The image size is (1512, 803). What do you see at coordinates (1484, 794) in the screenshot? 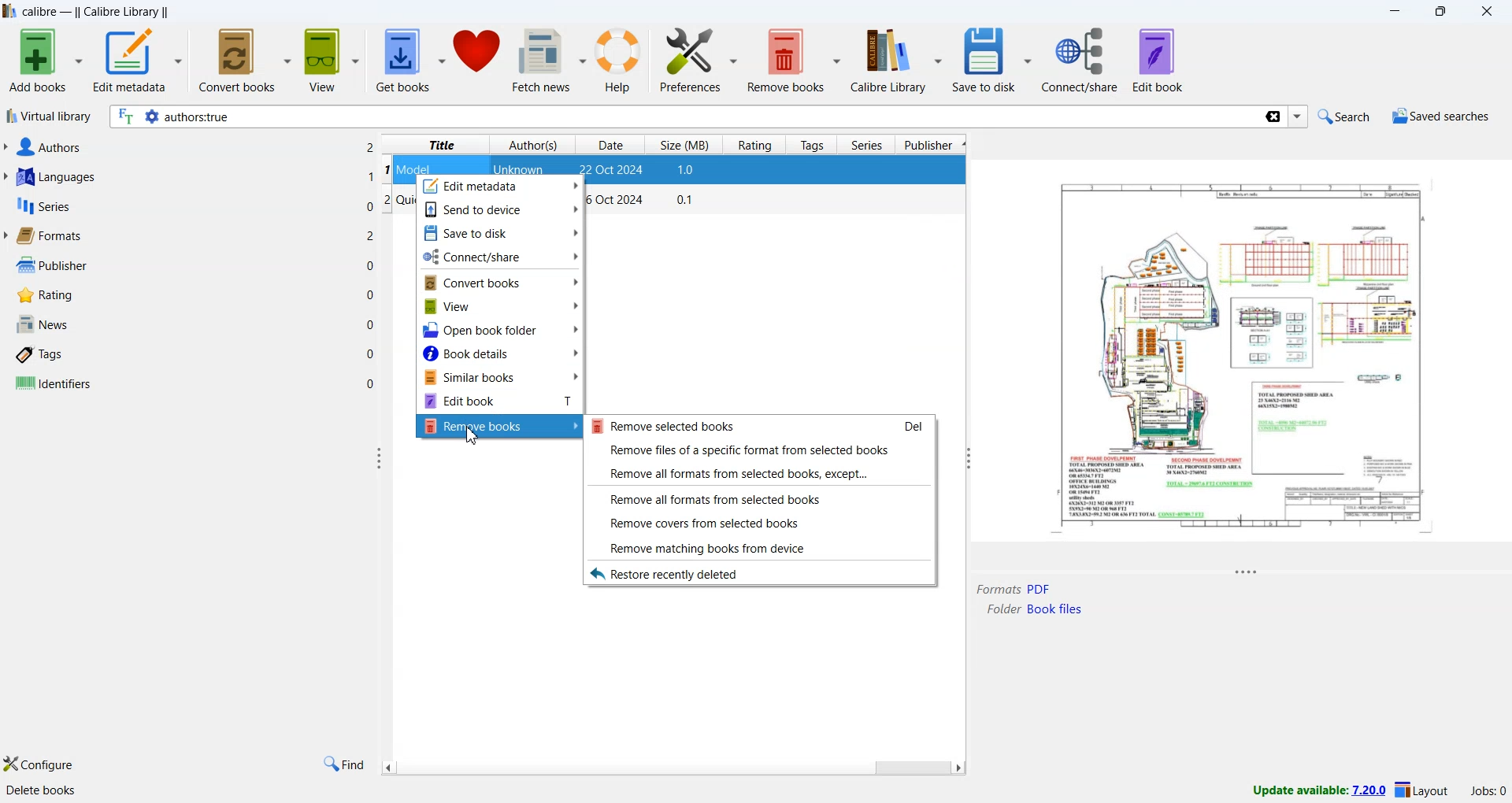
I see `jobs` at bounding box center [1484, 794].